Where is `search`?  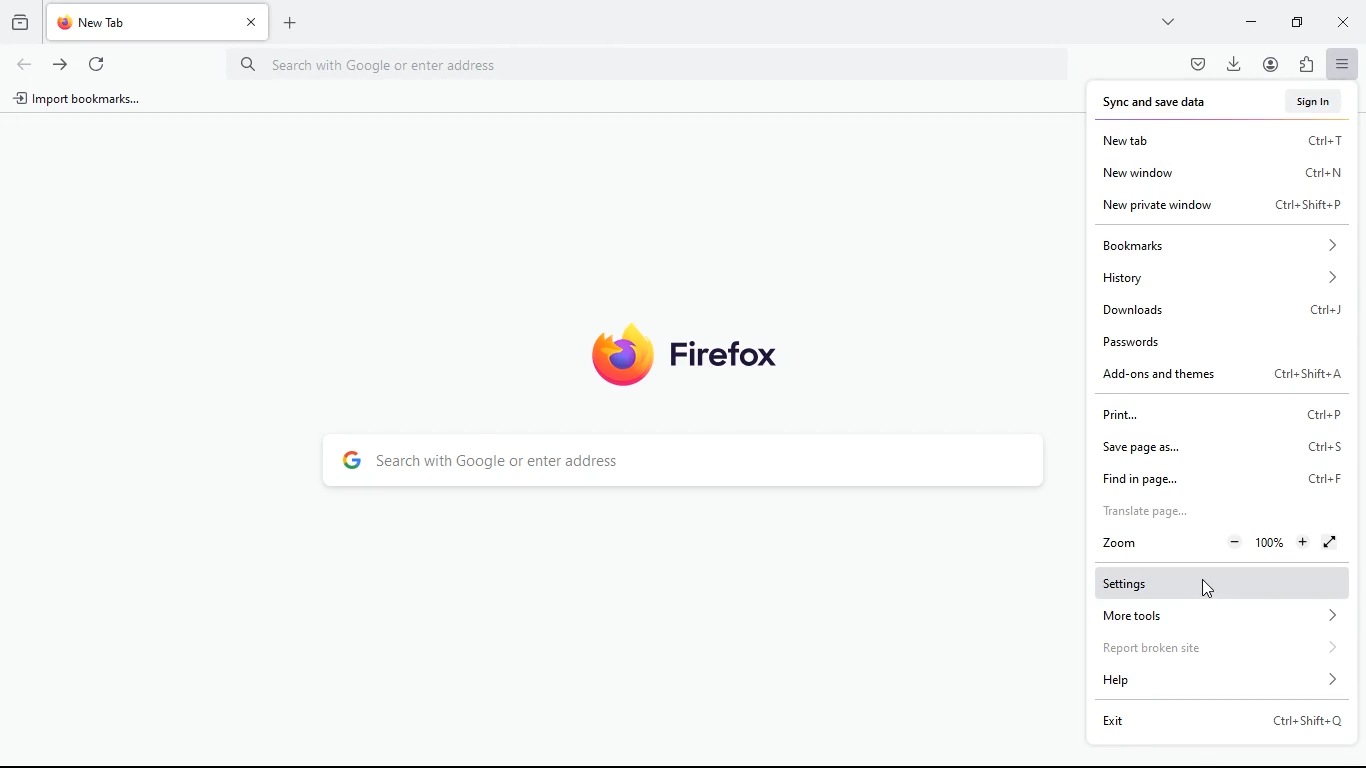 search is located at coordinates (674, 461).